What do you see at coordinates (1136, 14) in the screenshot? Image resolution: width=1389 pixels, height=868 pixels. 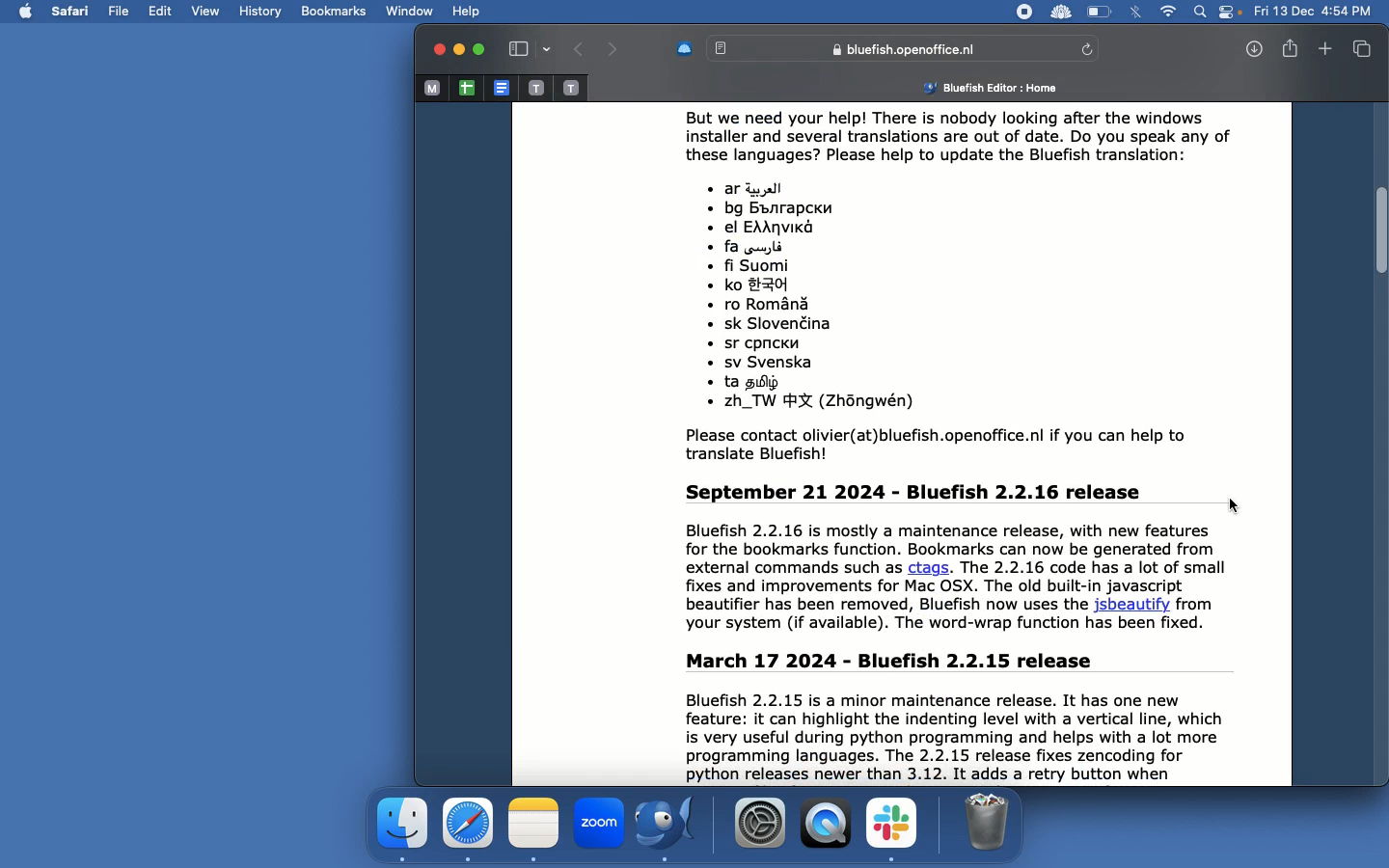 I see `Bluetooth` at bounding box center [1136, 14].